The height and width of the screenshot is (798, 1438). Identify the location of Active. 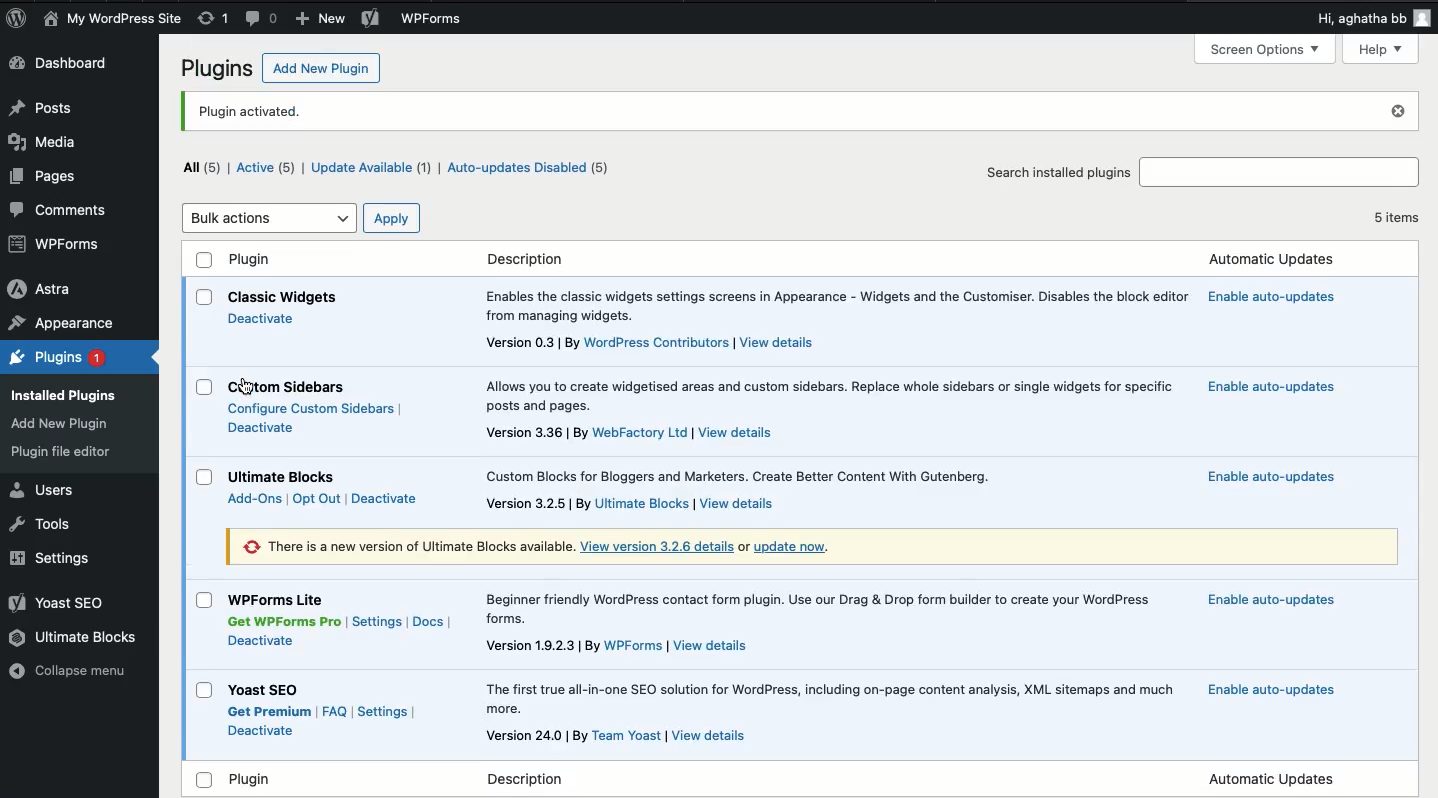
(266, 170).